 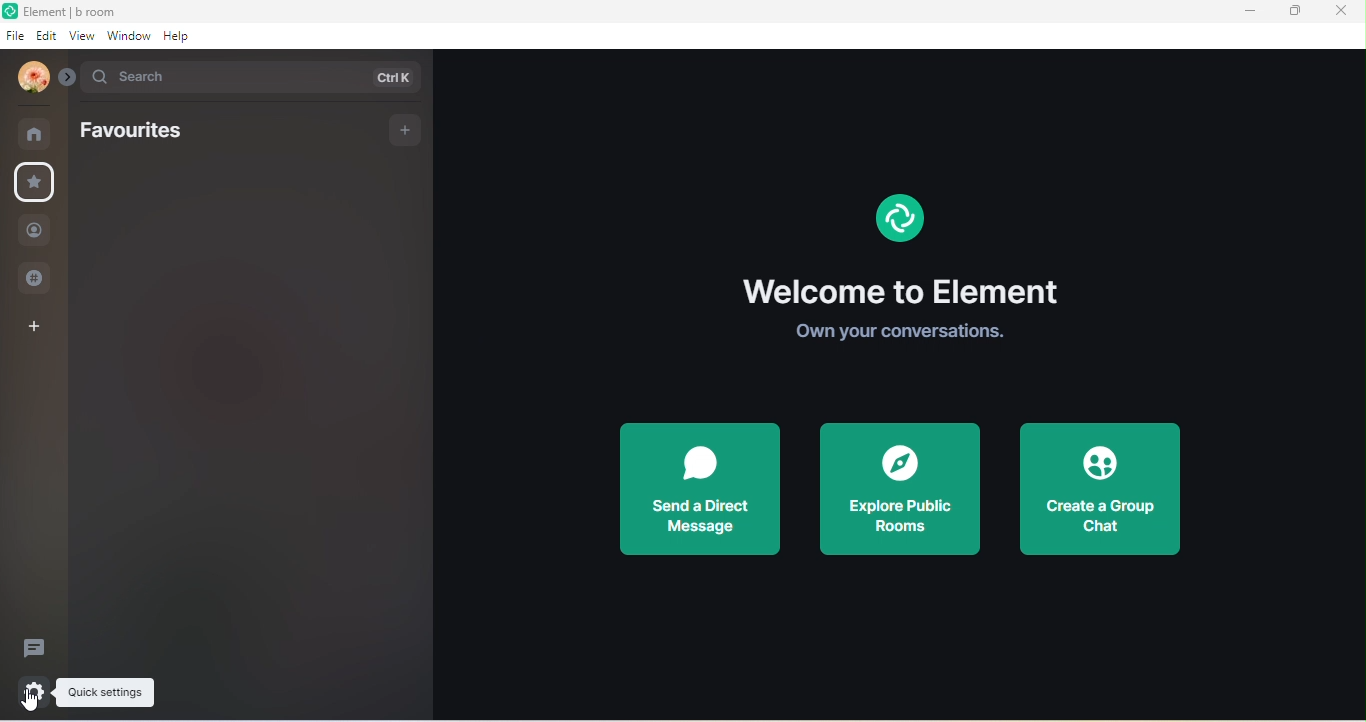 What do you see at coordinates (31, 79) in the screenshot?
I see `account` at bounding box center [31, 79].